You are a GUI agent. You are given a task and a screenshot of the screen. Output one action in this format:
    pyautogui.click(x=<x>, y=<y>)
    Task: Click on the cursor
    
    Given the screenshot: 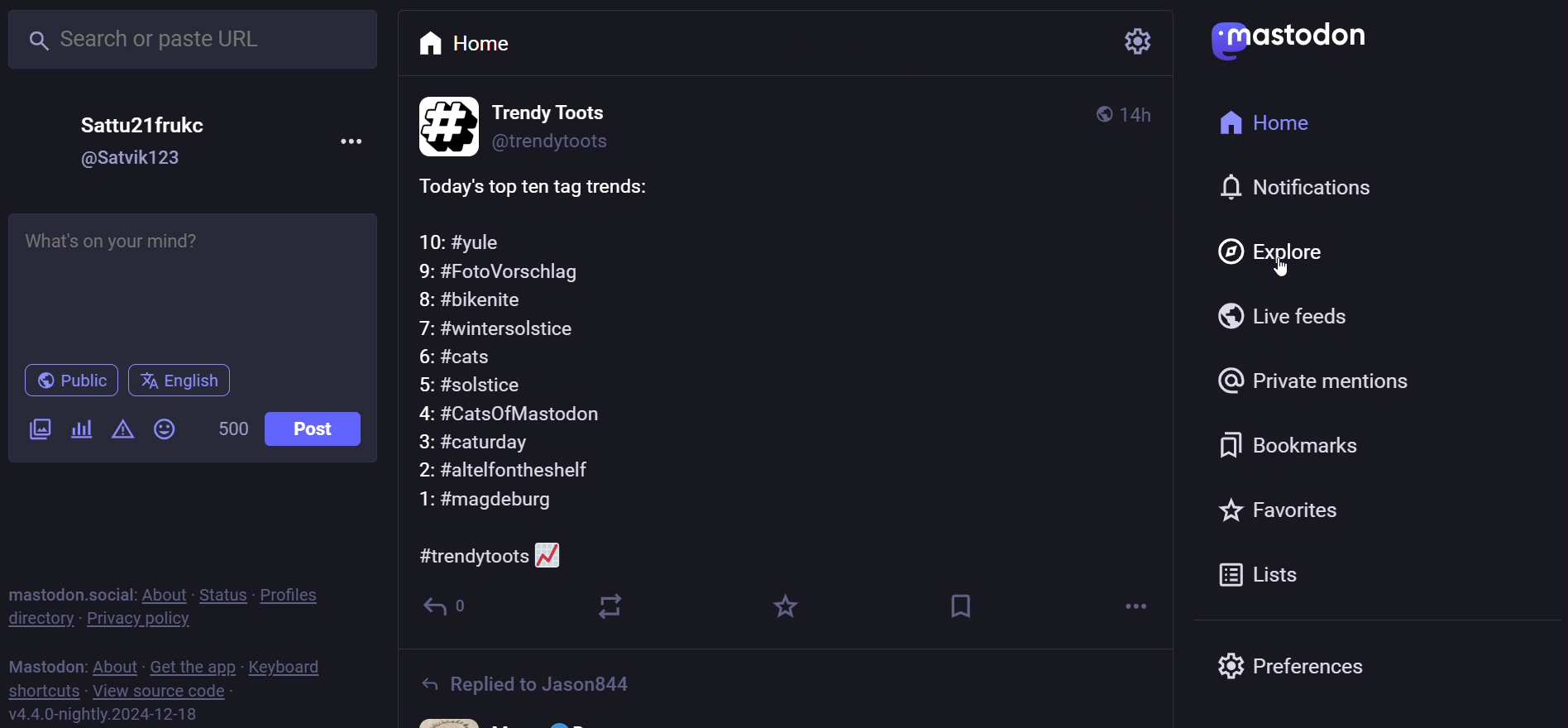 What is the action you would take?
    pyautogui.click(x=1279, y=267)
    